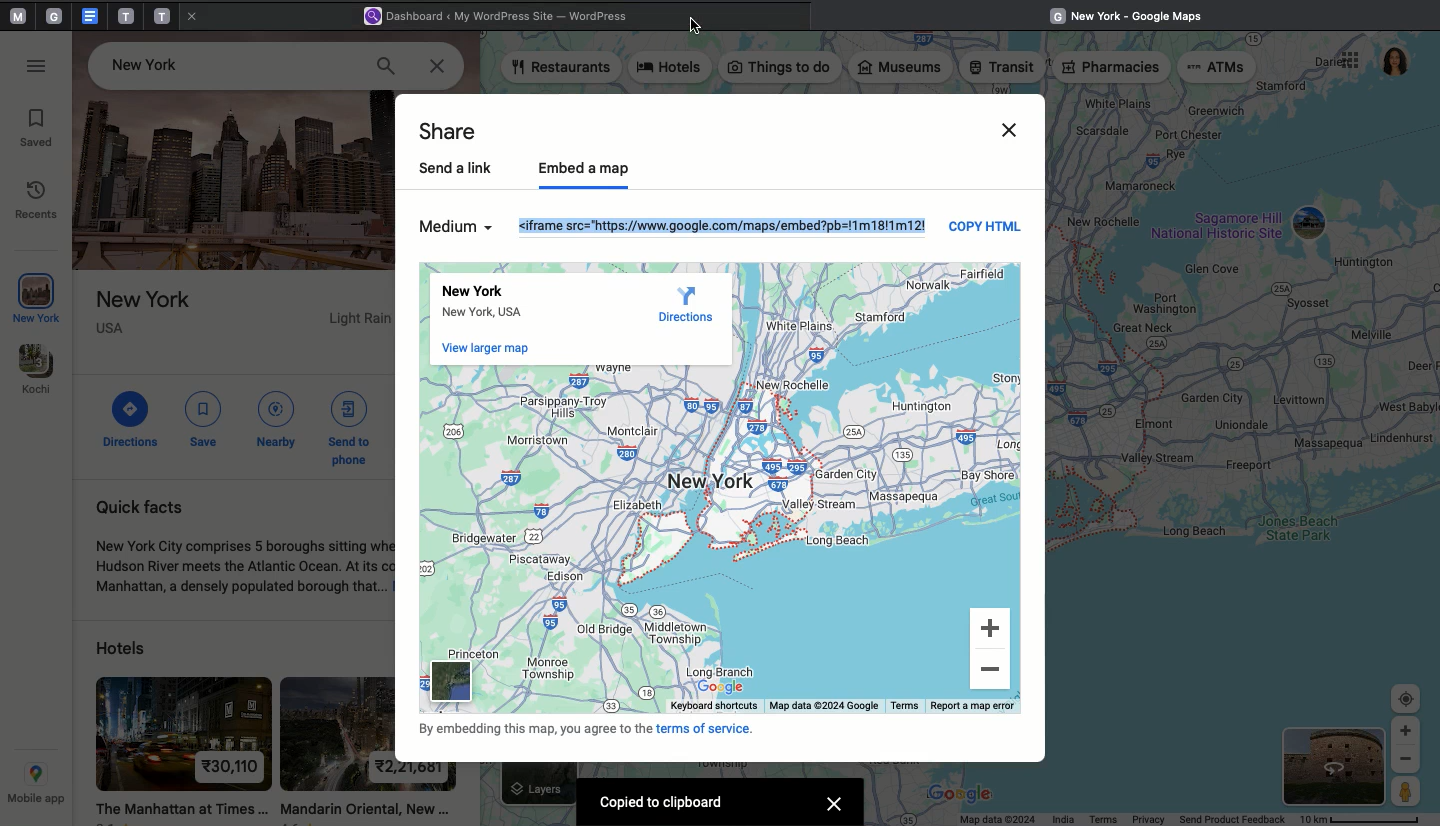 This screenshot has width=1440, height=826. What do you see at coordinates (457, 131) in the screenshot?
I see `Share` at bounding box center [457, 131].